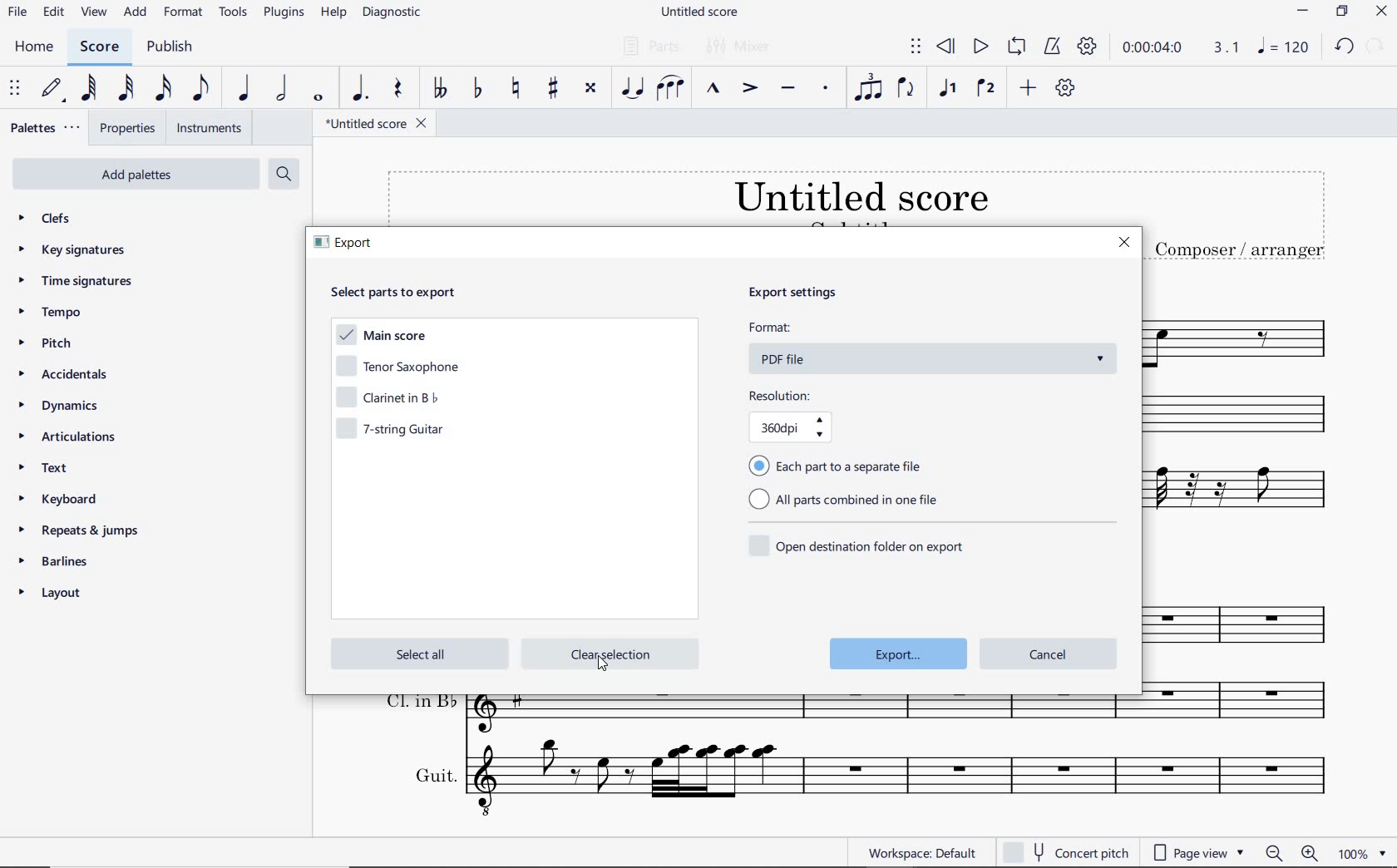  What do you see at coordinates (1360, 851) in the screenshot?
I see `zoom factor` at bounding box center [1360, 851].